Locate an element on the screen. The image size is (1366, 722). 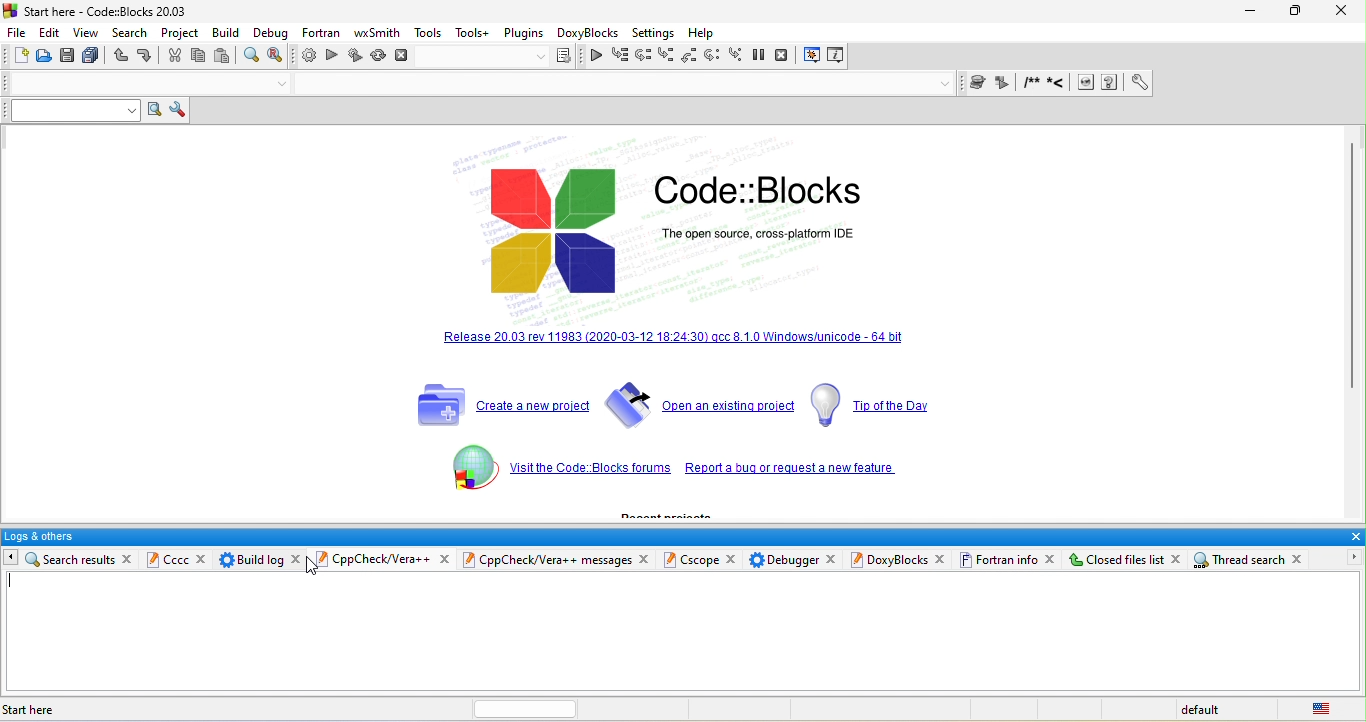
close is located at coordinates (943, 559).